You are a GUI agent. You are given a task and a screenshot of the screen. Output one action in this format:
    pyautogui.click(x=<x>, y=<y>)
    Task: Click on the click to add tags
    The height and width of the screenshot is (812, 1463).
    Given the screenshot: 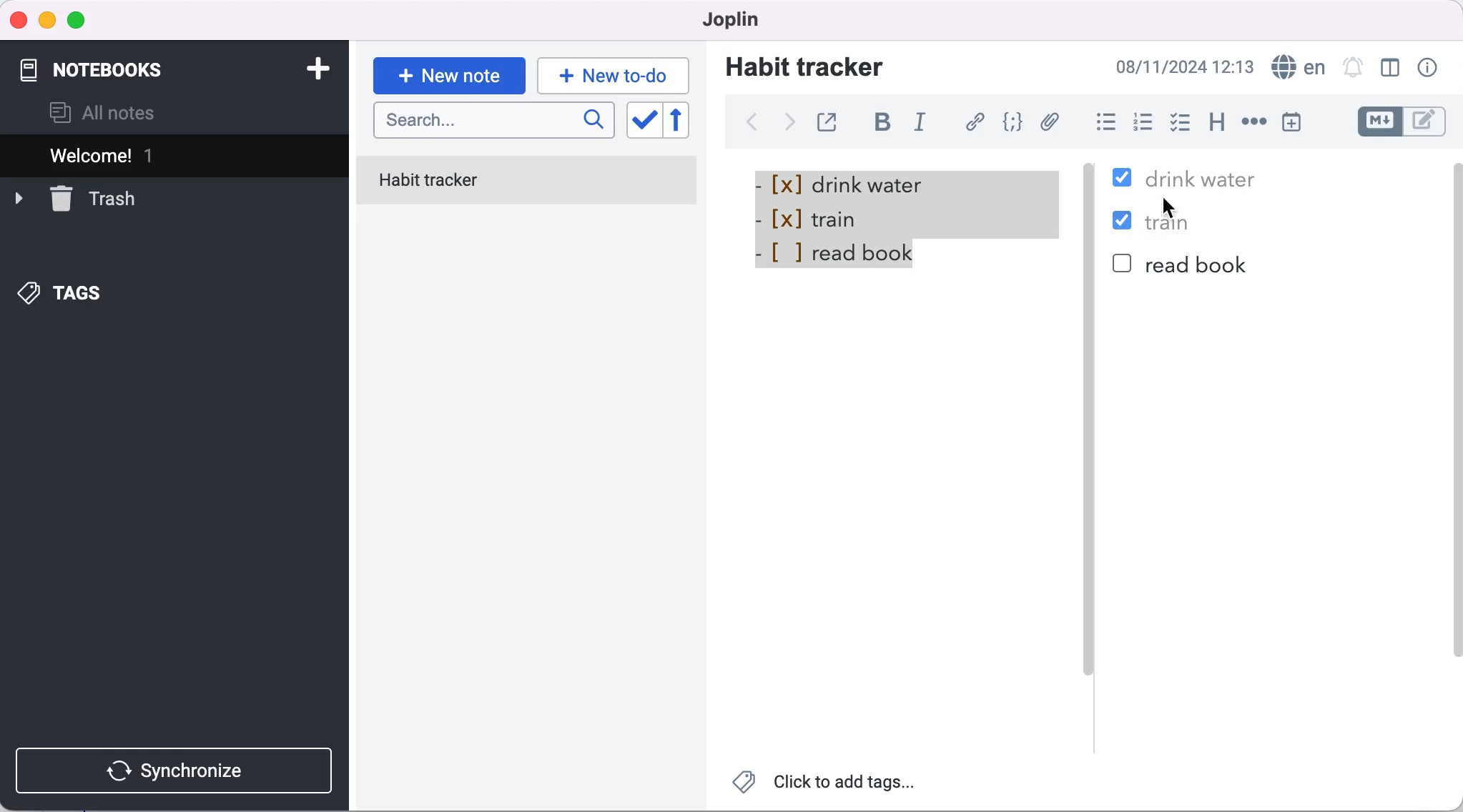 What is the action you would take?
    pyautogui.click(x=826, y=786)
    